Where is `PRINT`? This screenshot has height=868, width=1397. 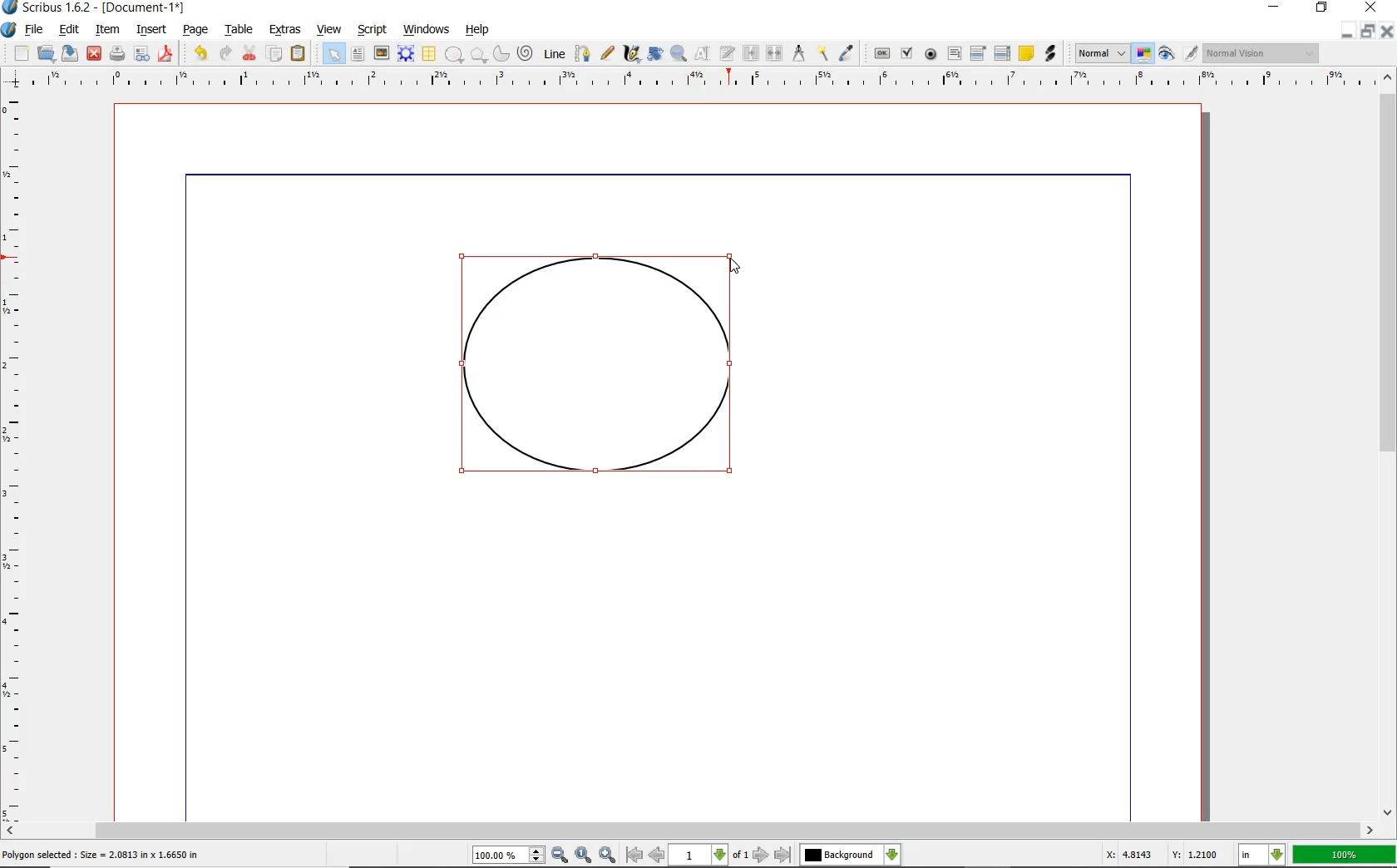 PRINT is located at coordinates (117, 55).